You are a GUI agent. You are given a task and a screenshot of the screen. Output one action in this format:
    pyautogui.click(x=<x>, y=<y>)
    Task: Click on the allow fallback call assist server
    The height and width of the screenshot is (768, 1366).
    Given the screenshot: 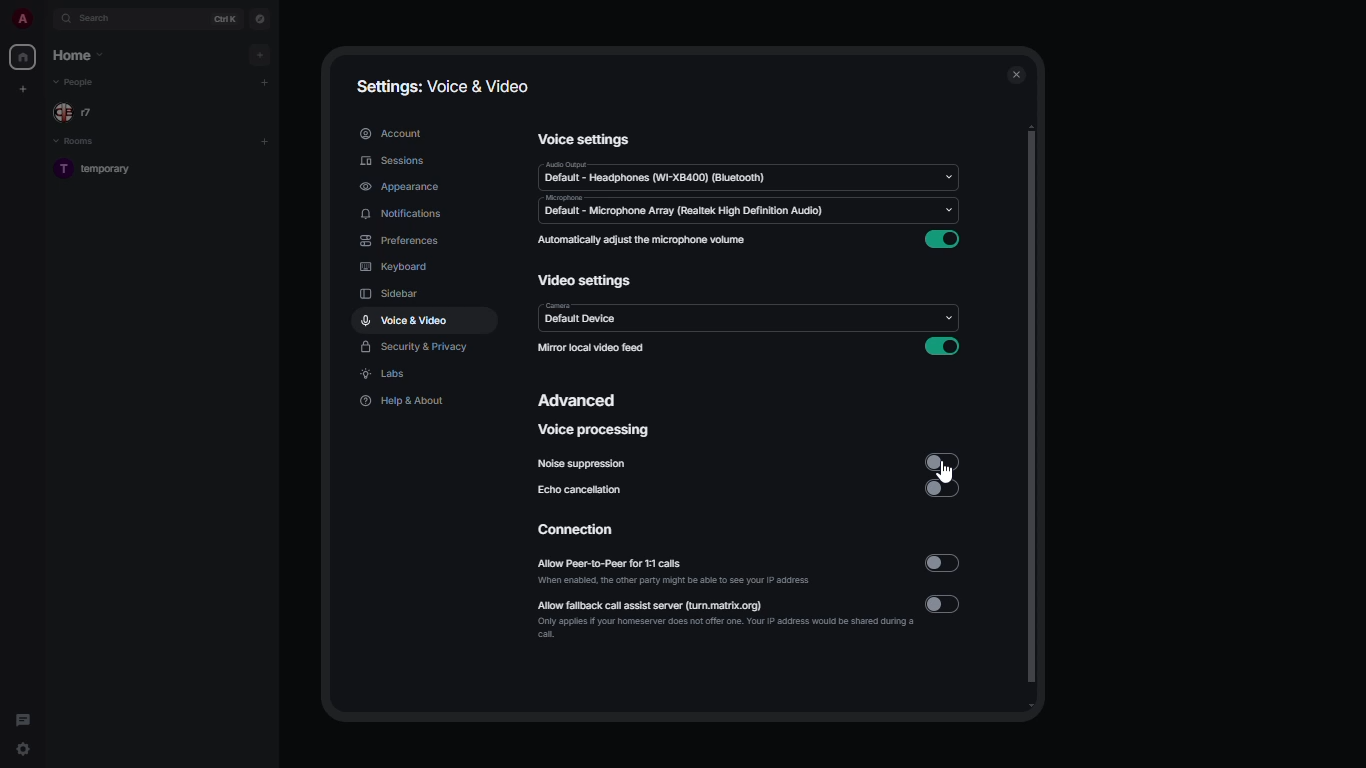 What is the action you would take?
    pyautogui.click(x=725, y=619)
    